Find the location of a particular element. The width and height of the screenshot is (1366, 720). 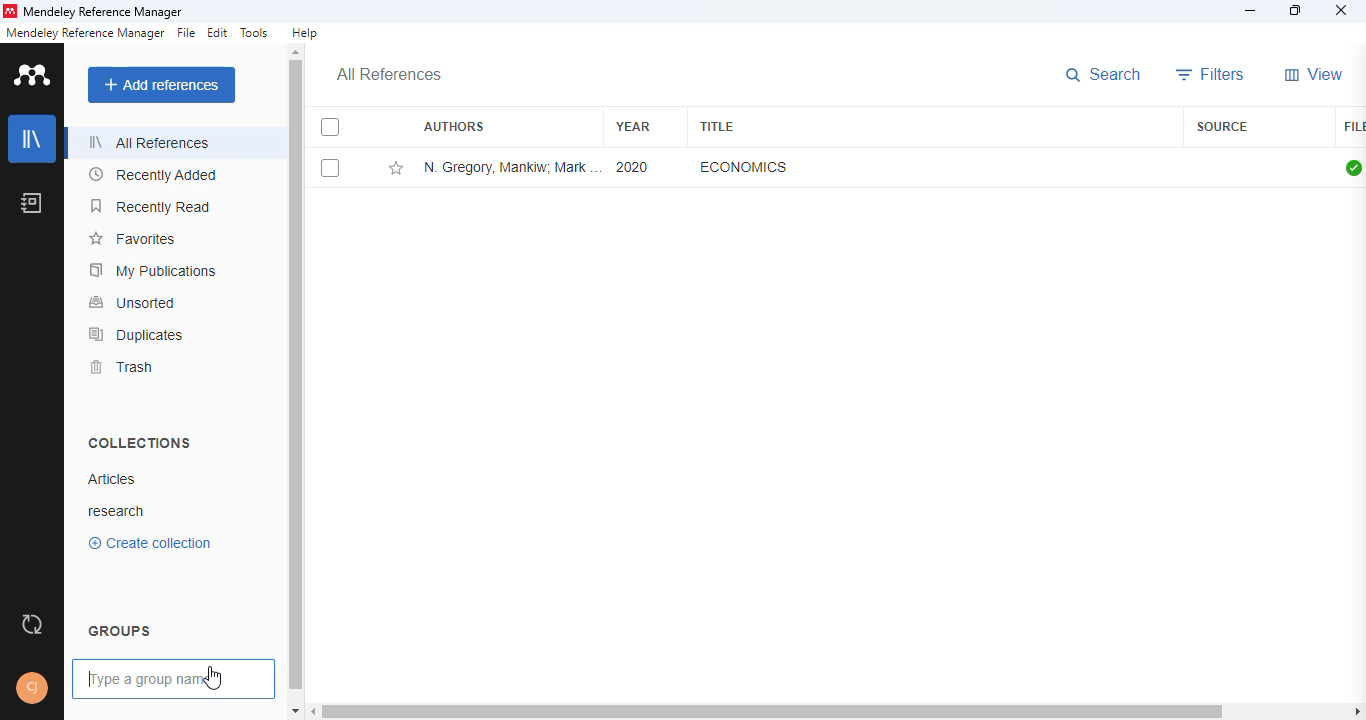

groups is located at coordinates (119, 630).